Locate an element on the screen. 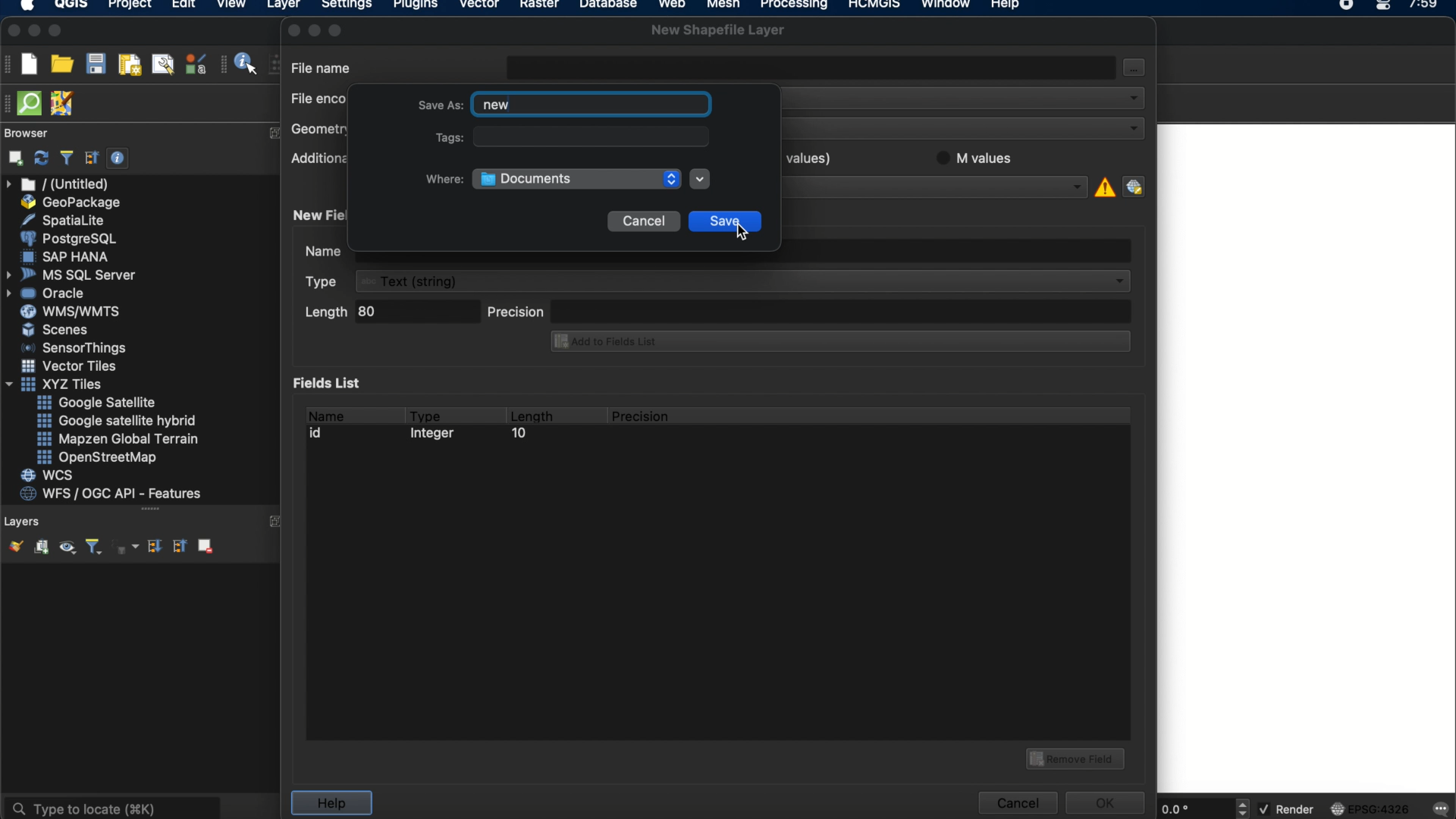 This screenshot has width=1456, height=819. mesh is located at coordinates (723, 6).